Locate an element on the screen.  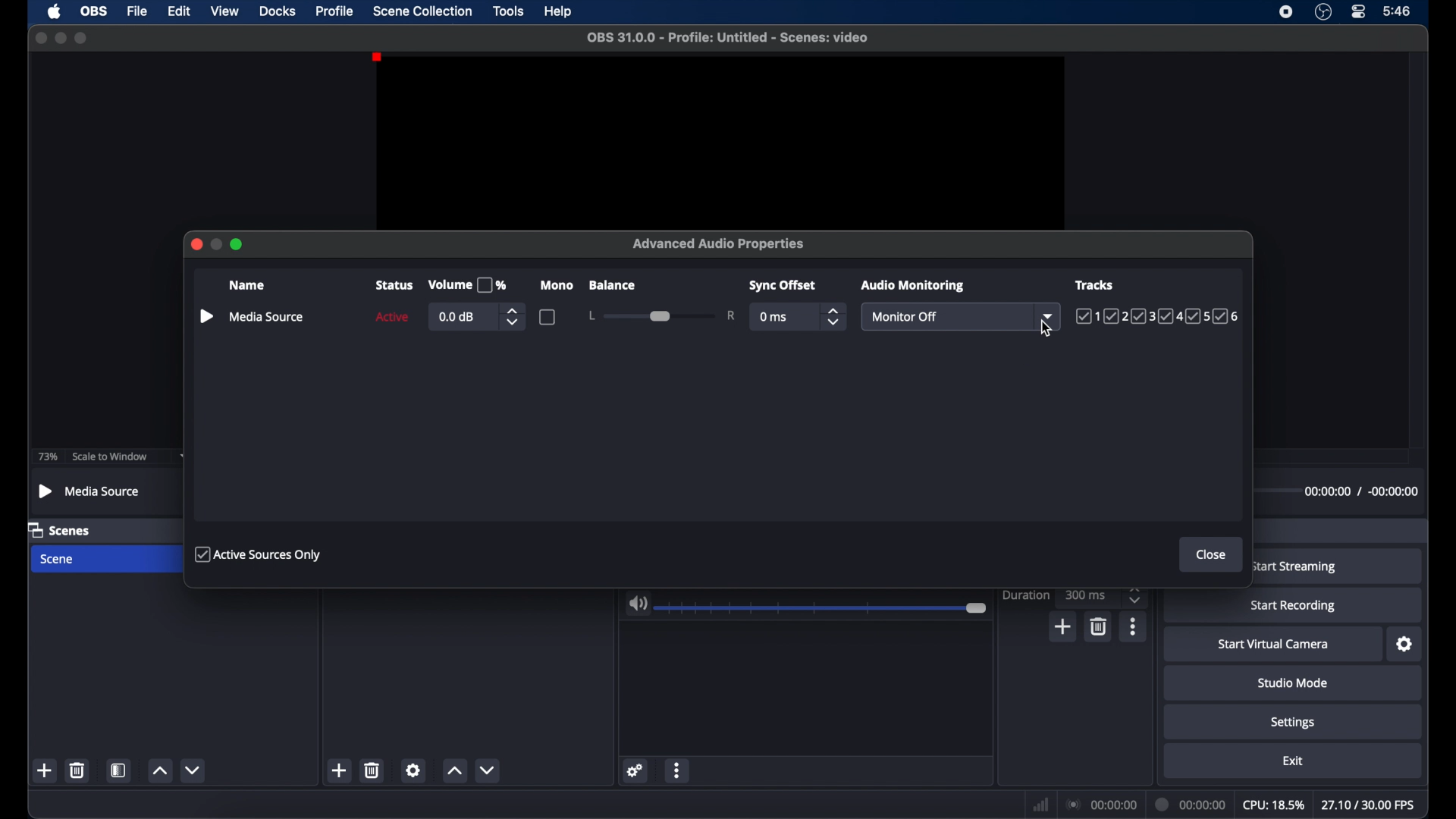
active sources only is located at coordinates (259, 554).